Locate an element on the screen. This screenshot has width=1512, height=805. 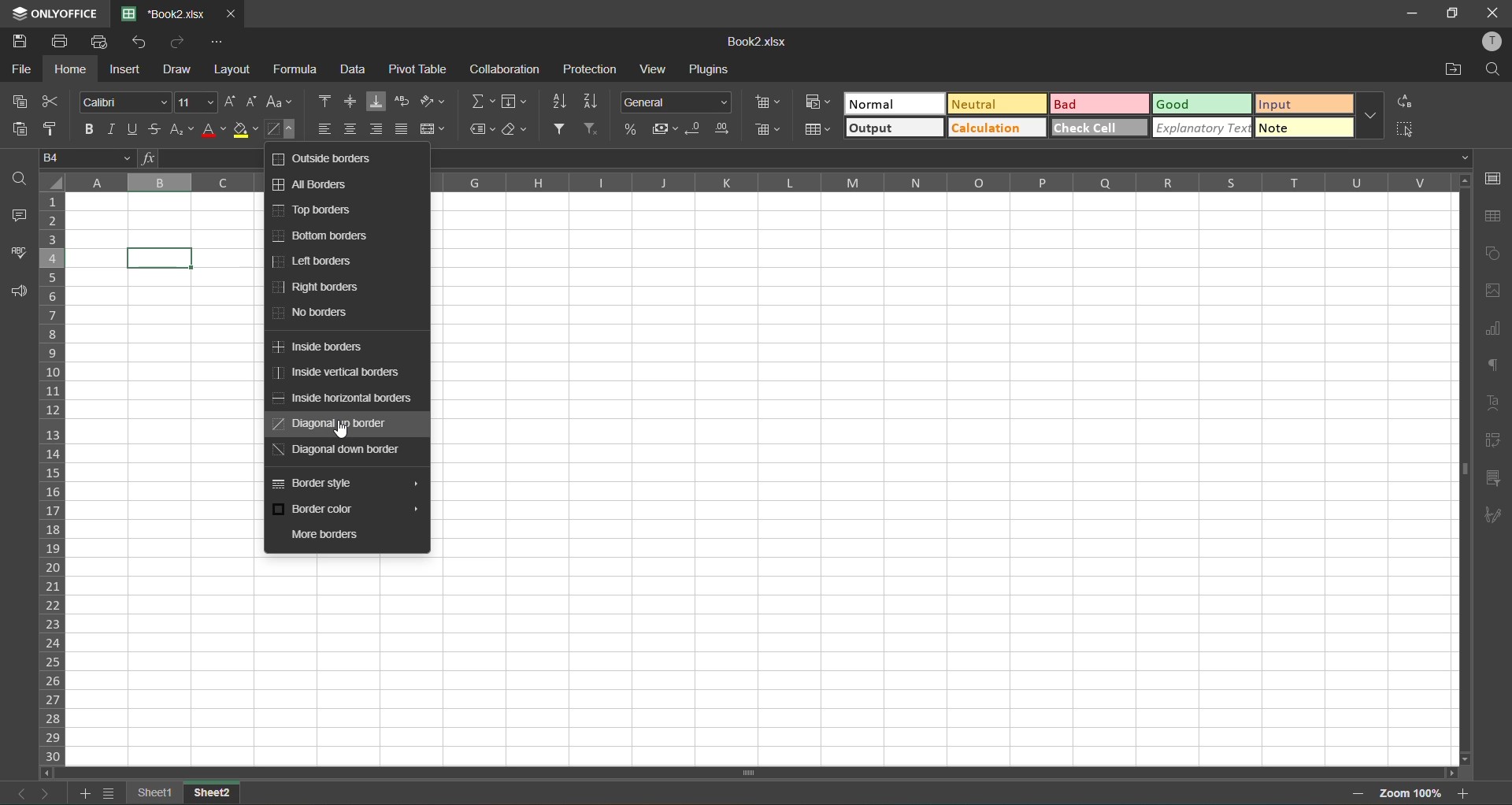
zoom out is located at coordinates (1364, 793).